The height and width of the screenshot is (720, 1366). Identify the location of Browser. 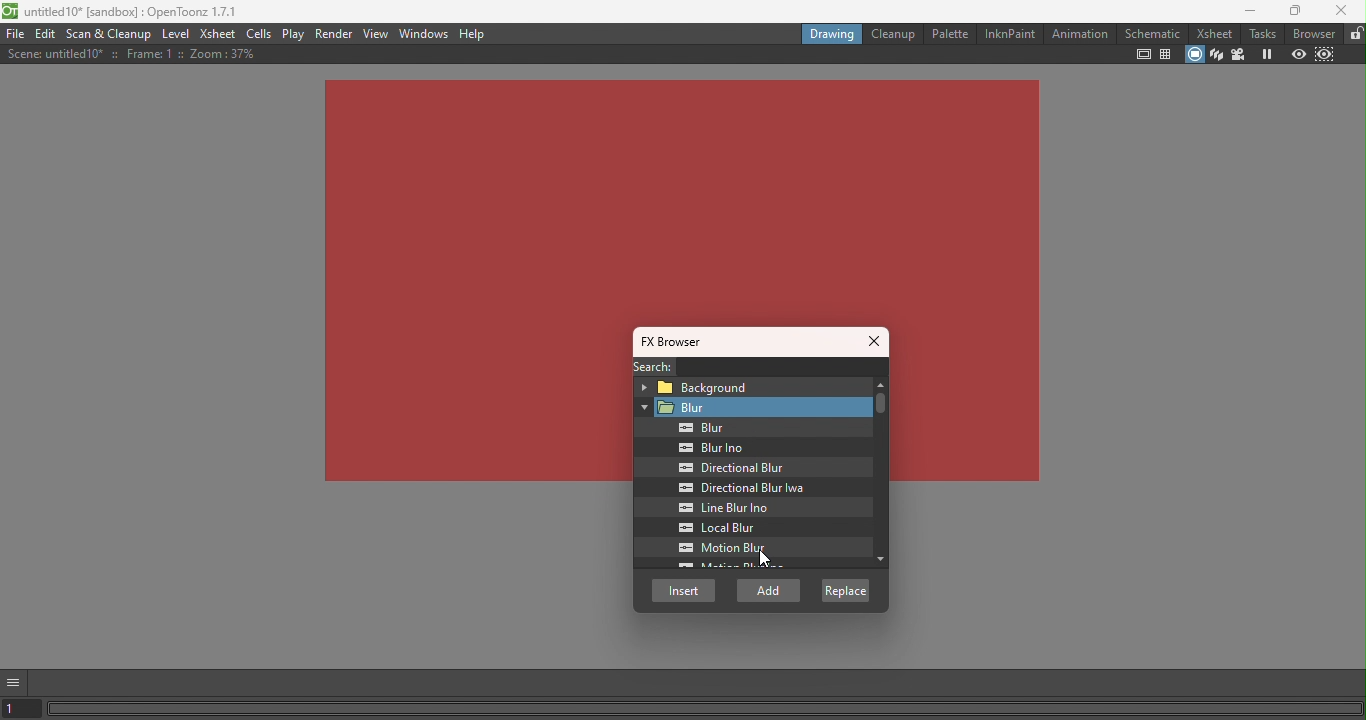
(1311, 34).